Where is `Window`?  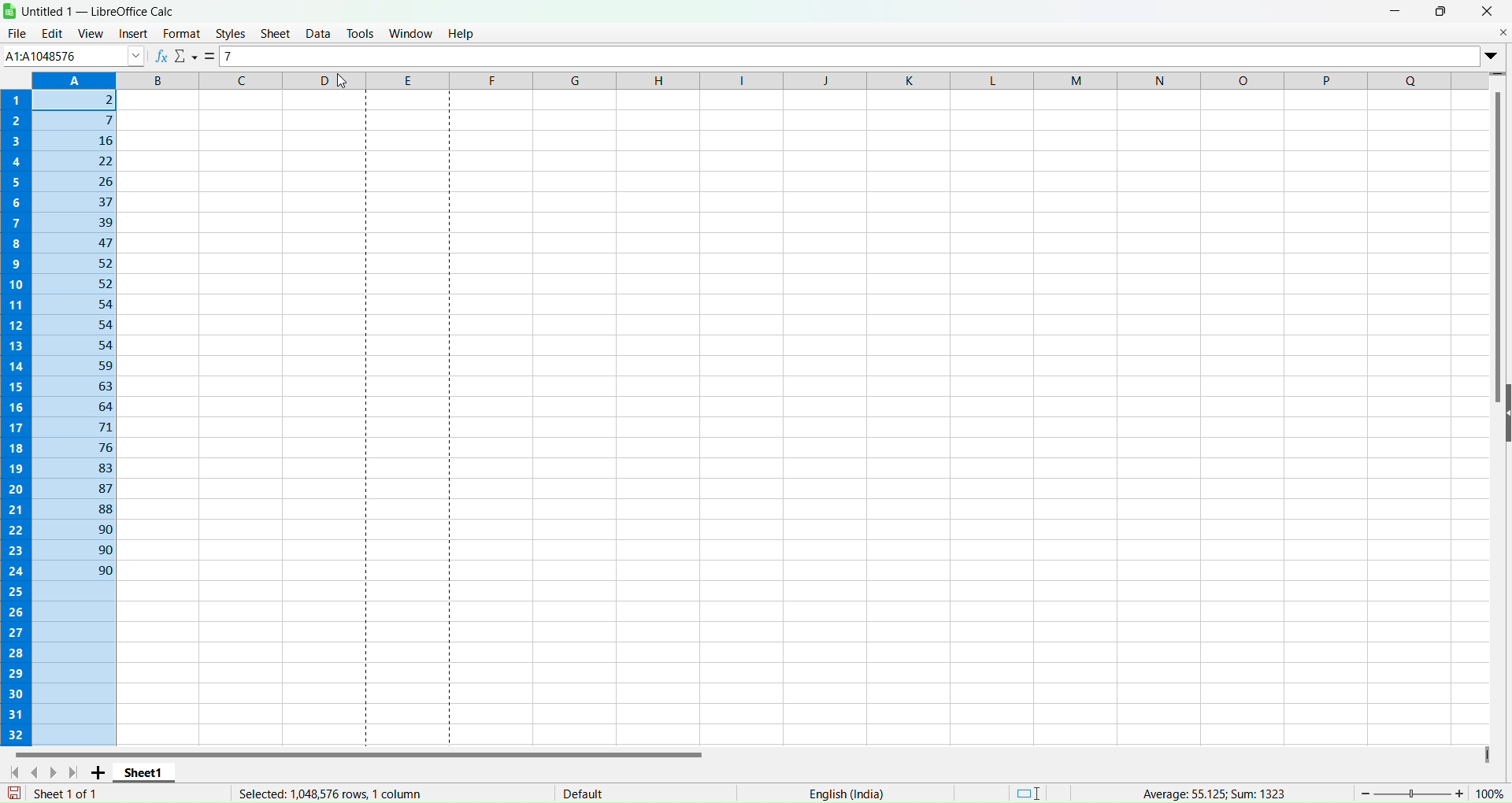 Window is located at coordinates (411, 31).